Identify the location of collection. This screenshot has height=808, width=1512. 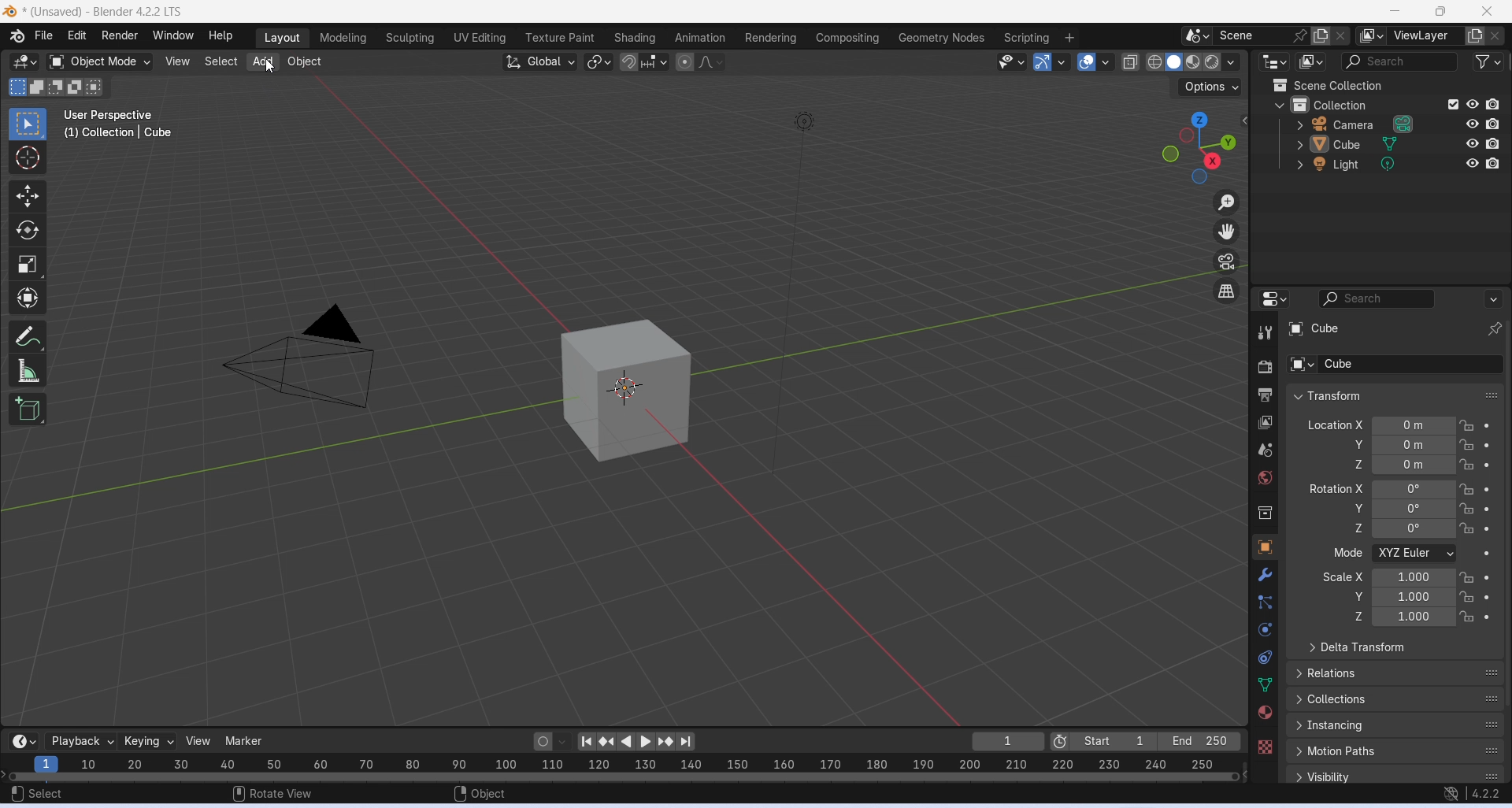
(1353, 103).